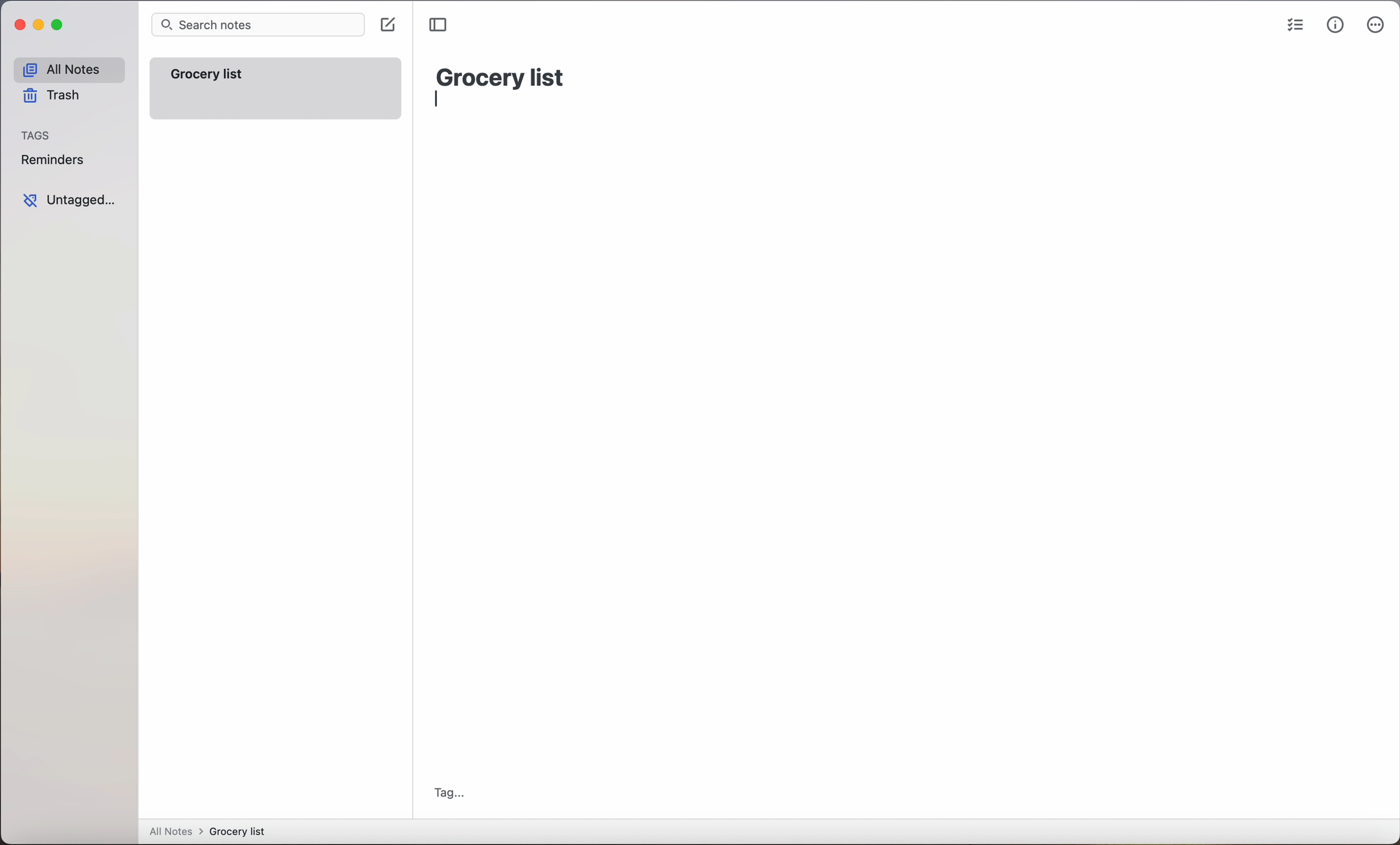 The width and height of the screenshot is (1400, 845). What do you see at coordinates (60, 26) in the screenshot?
I see `maximize Simplenote` at bounding box center [60, 26].